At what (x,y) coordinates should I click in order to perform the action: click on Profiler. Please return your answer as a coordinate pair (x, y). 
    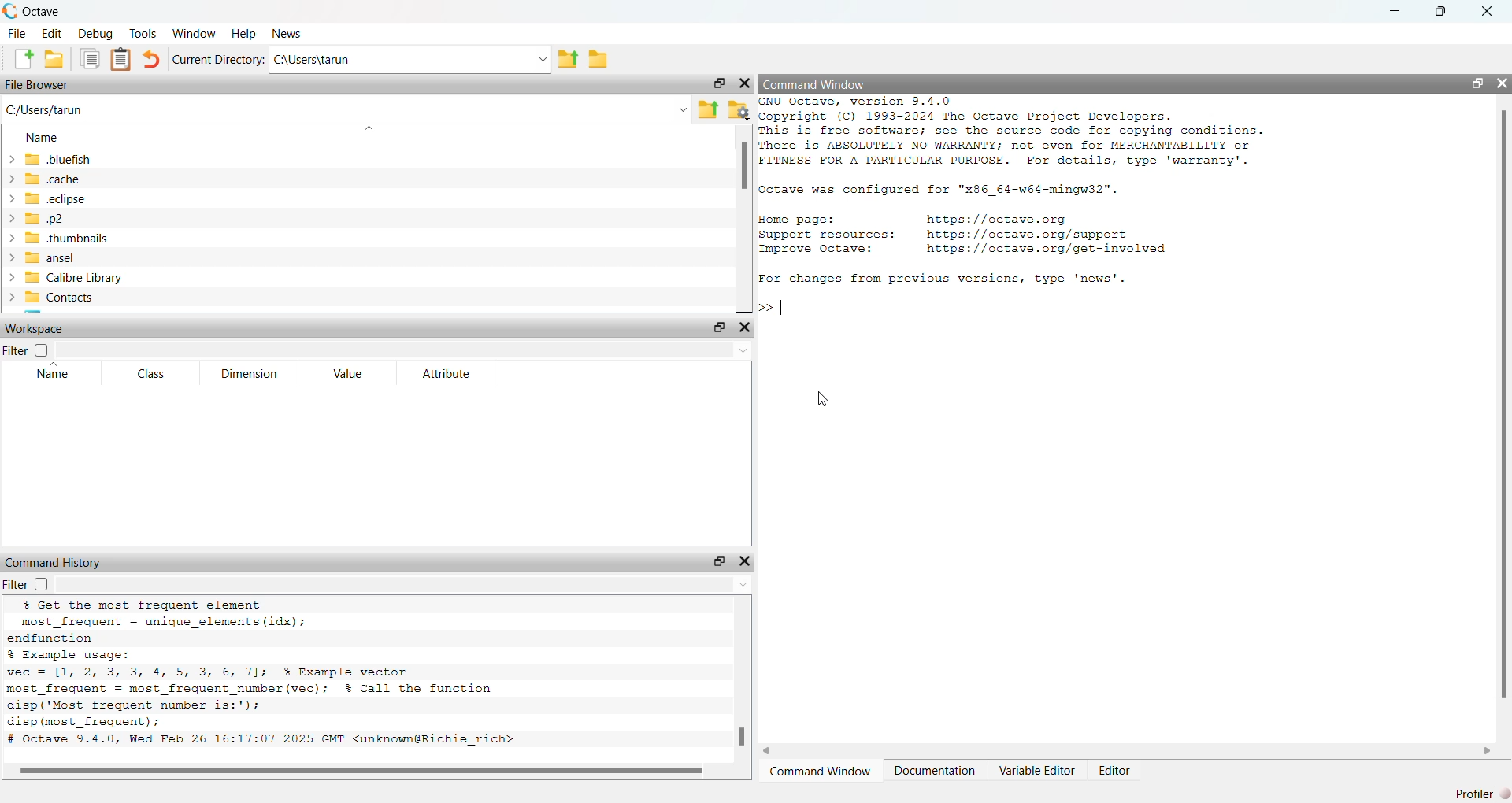
    Looking at the image, I should click on (1474, 794).